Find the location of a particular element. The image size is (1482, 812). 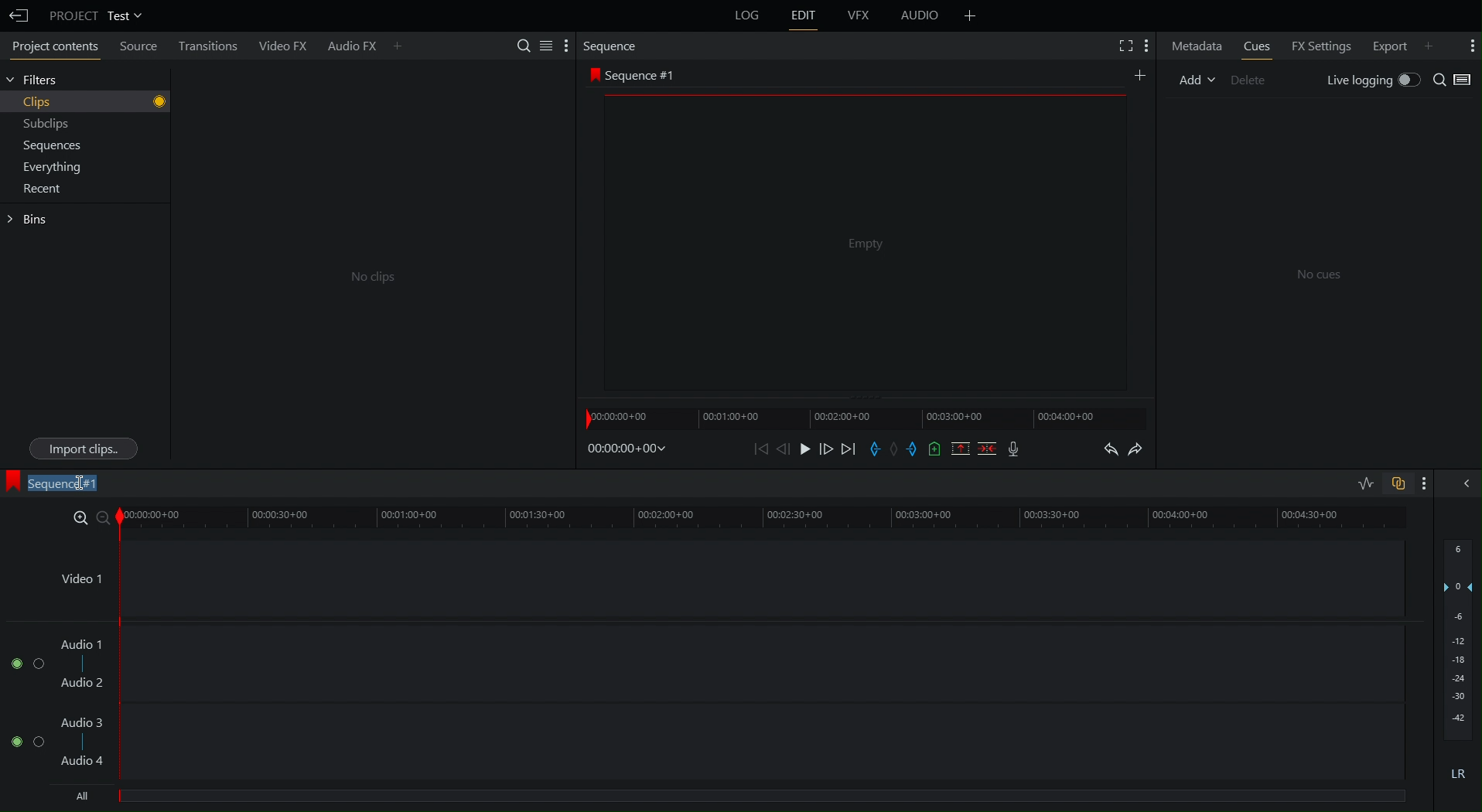

Video FX is located at coordinates (285, 44).